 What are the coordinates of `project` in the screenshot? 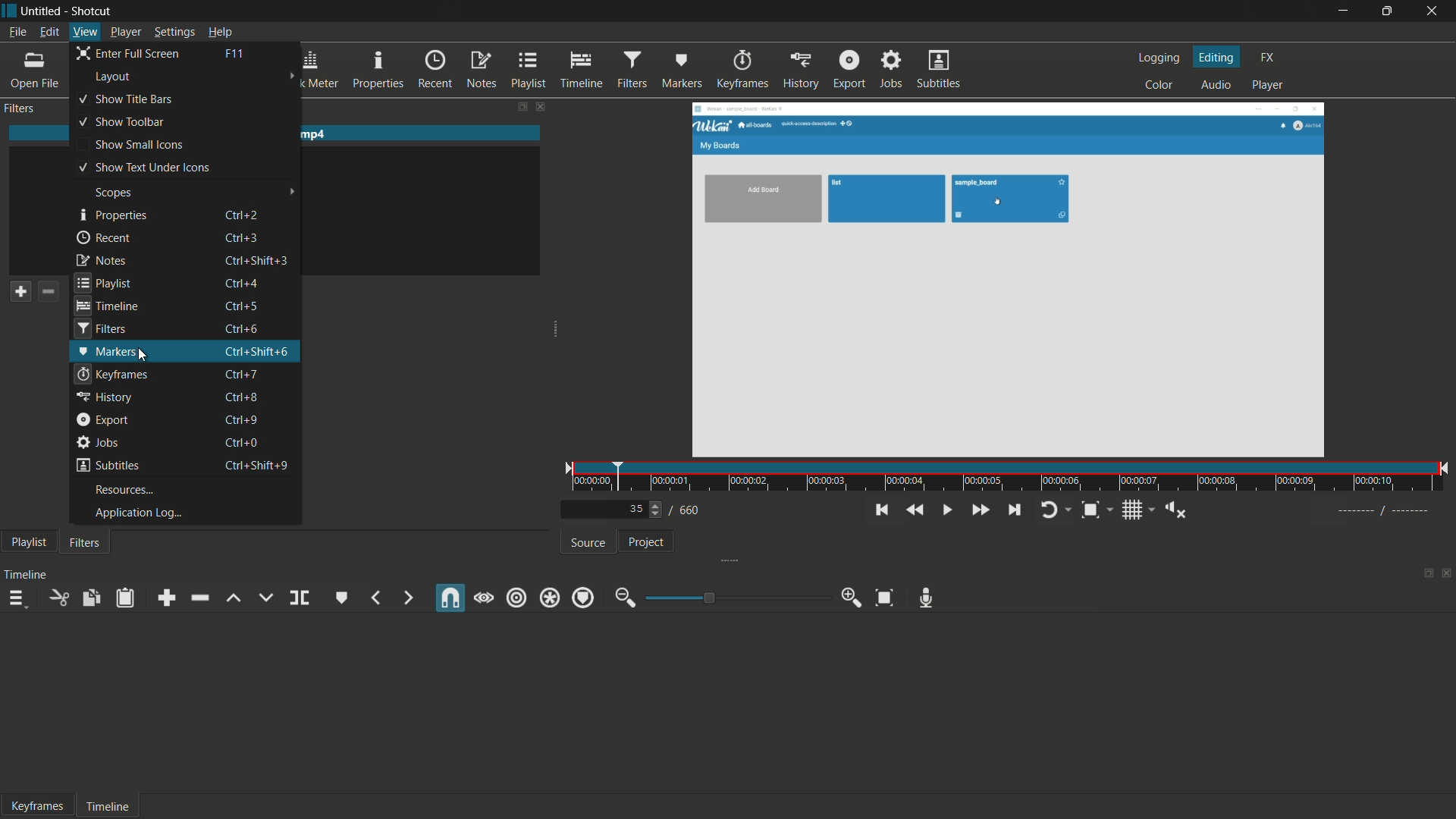 It's located at (647, 545).